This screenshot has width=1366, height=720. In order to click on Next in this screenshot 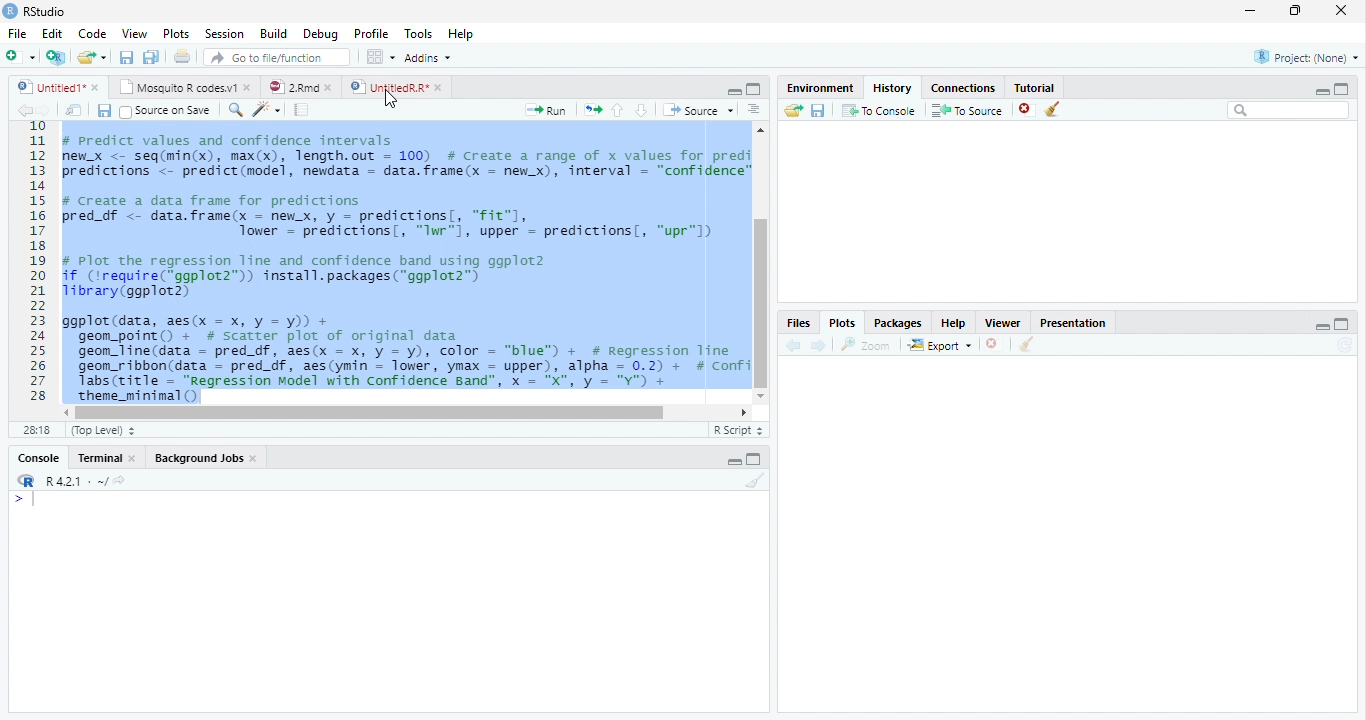, I will do `click(44, 111)`.